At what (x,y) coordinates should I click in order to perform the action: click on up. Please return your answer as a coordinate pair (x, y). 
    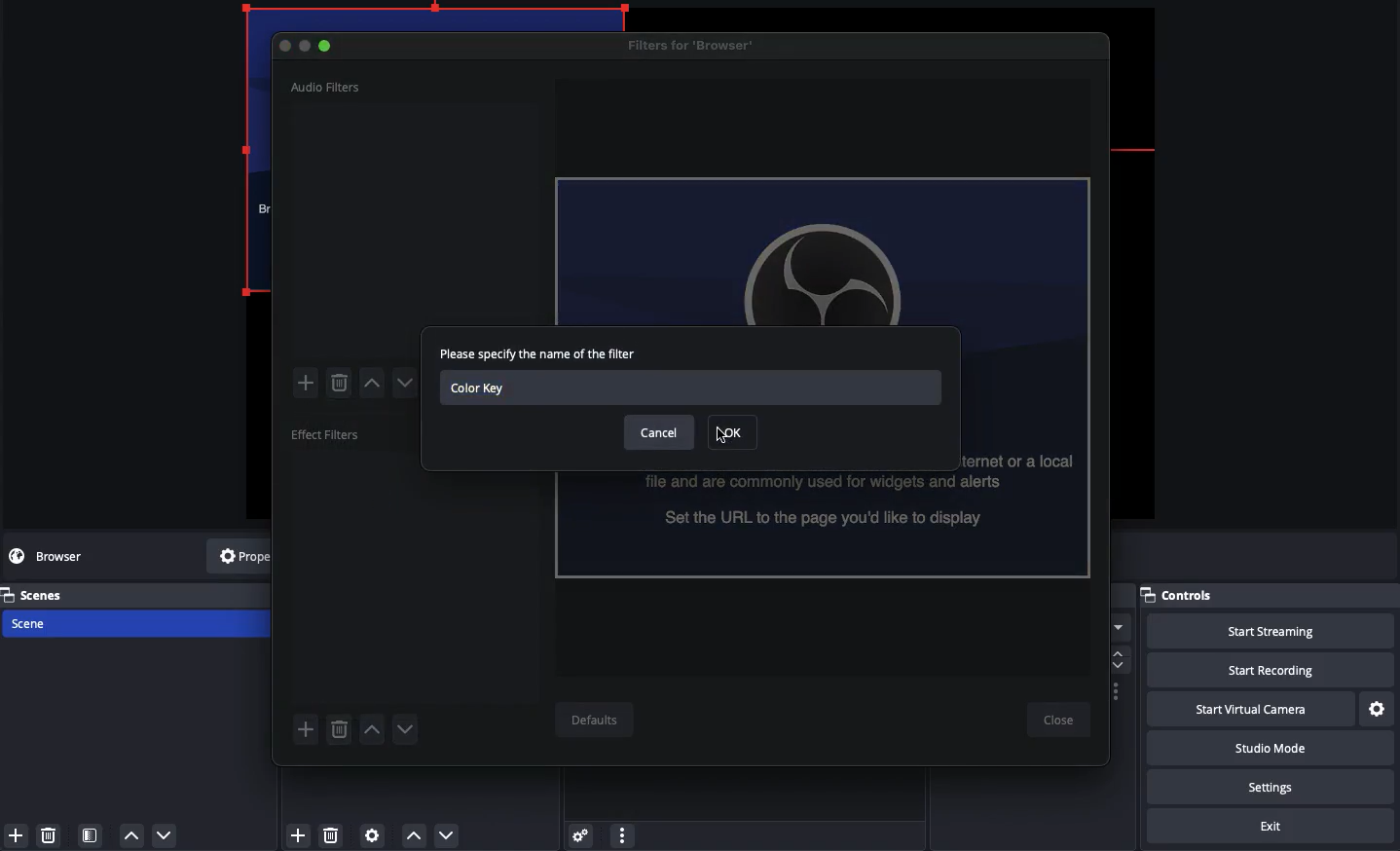
    Looking at the image, I should click on (131, 834).